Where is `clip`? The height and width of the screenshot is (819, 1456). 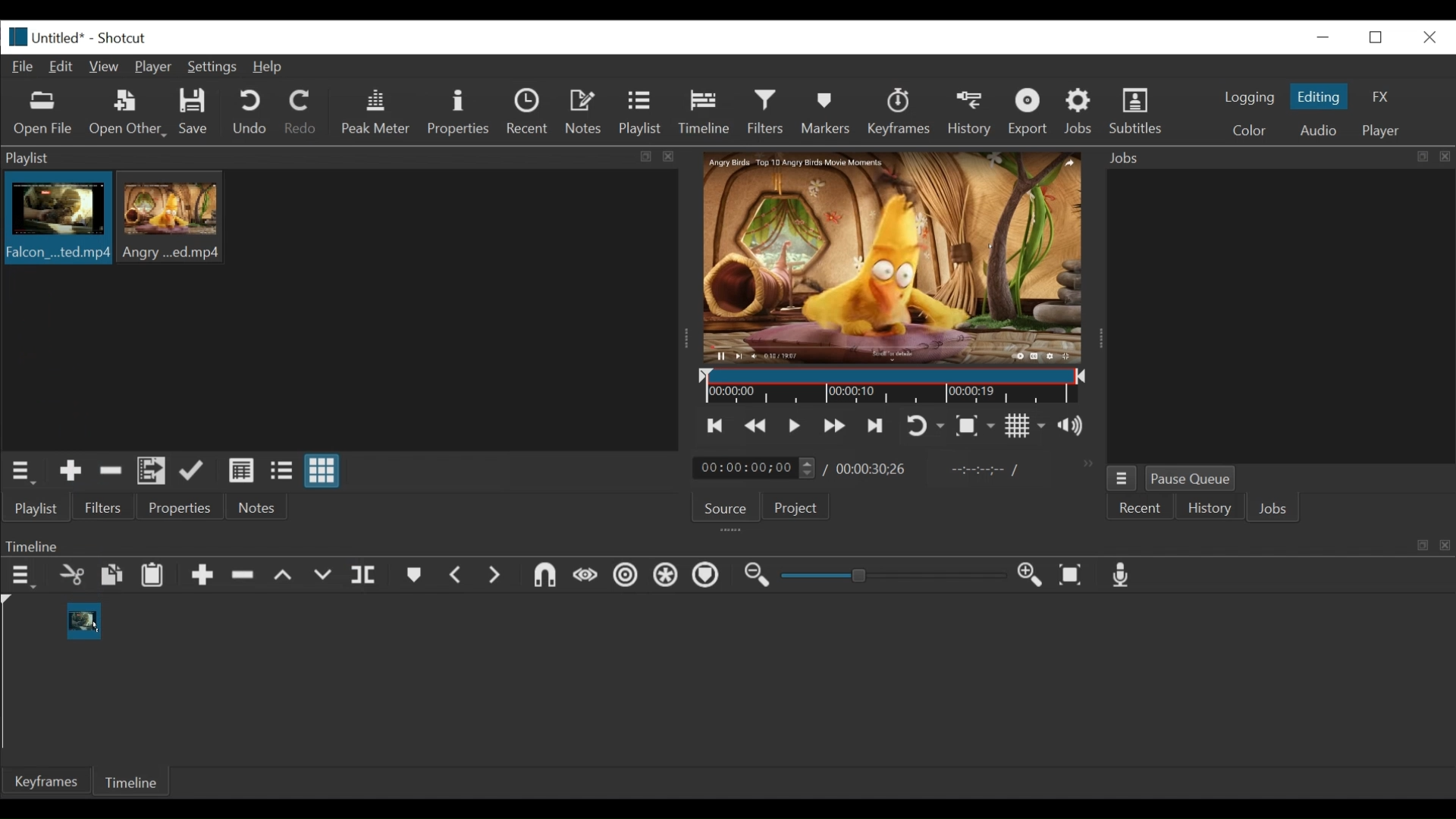 clip is located at coordinates (55, 220).